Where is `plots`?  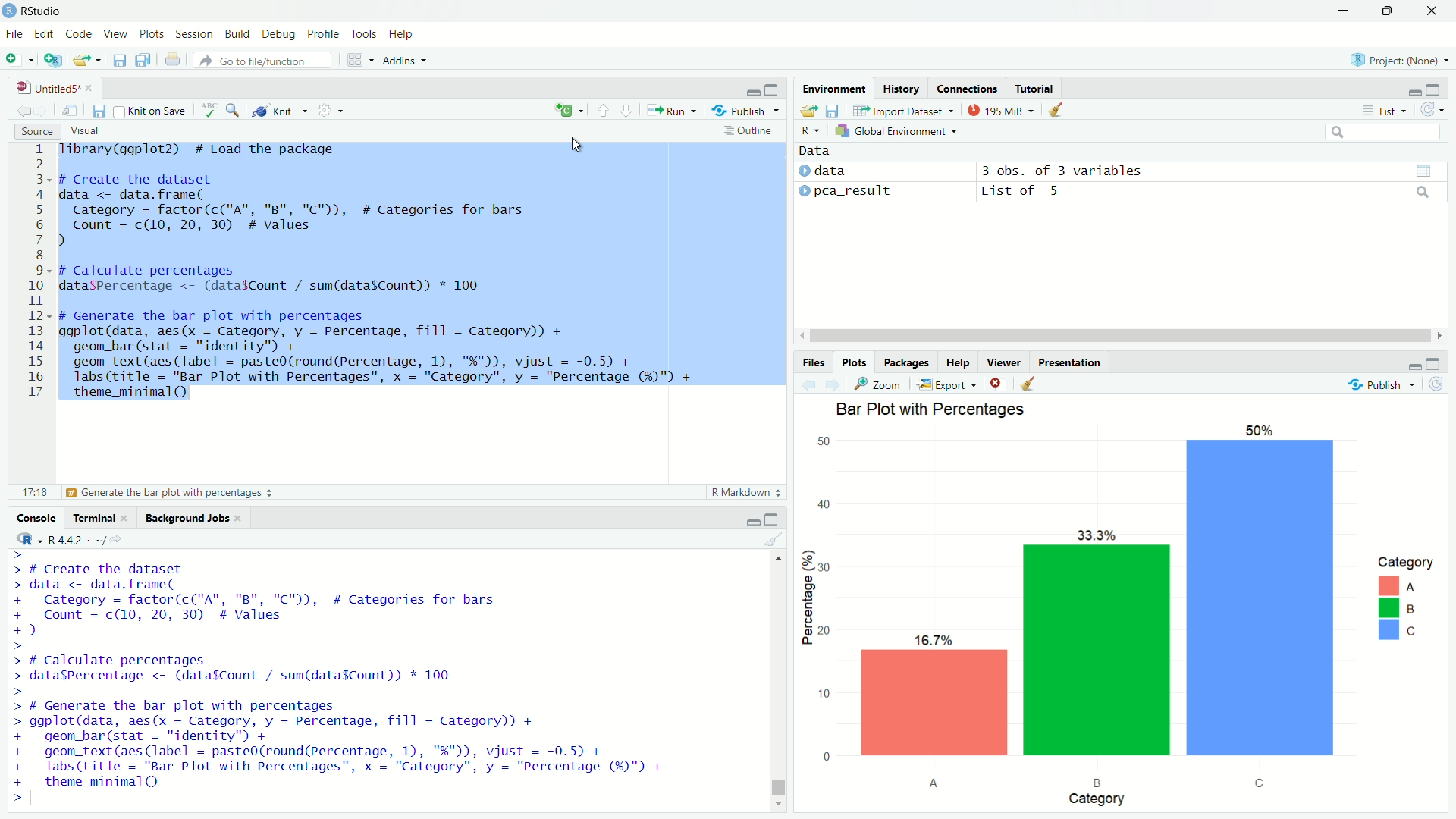 plots is located at coordinates (153, 35).